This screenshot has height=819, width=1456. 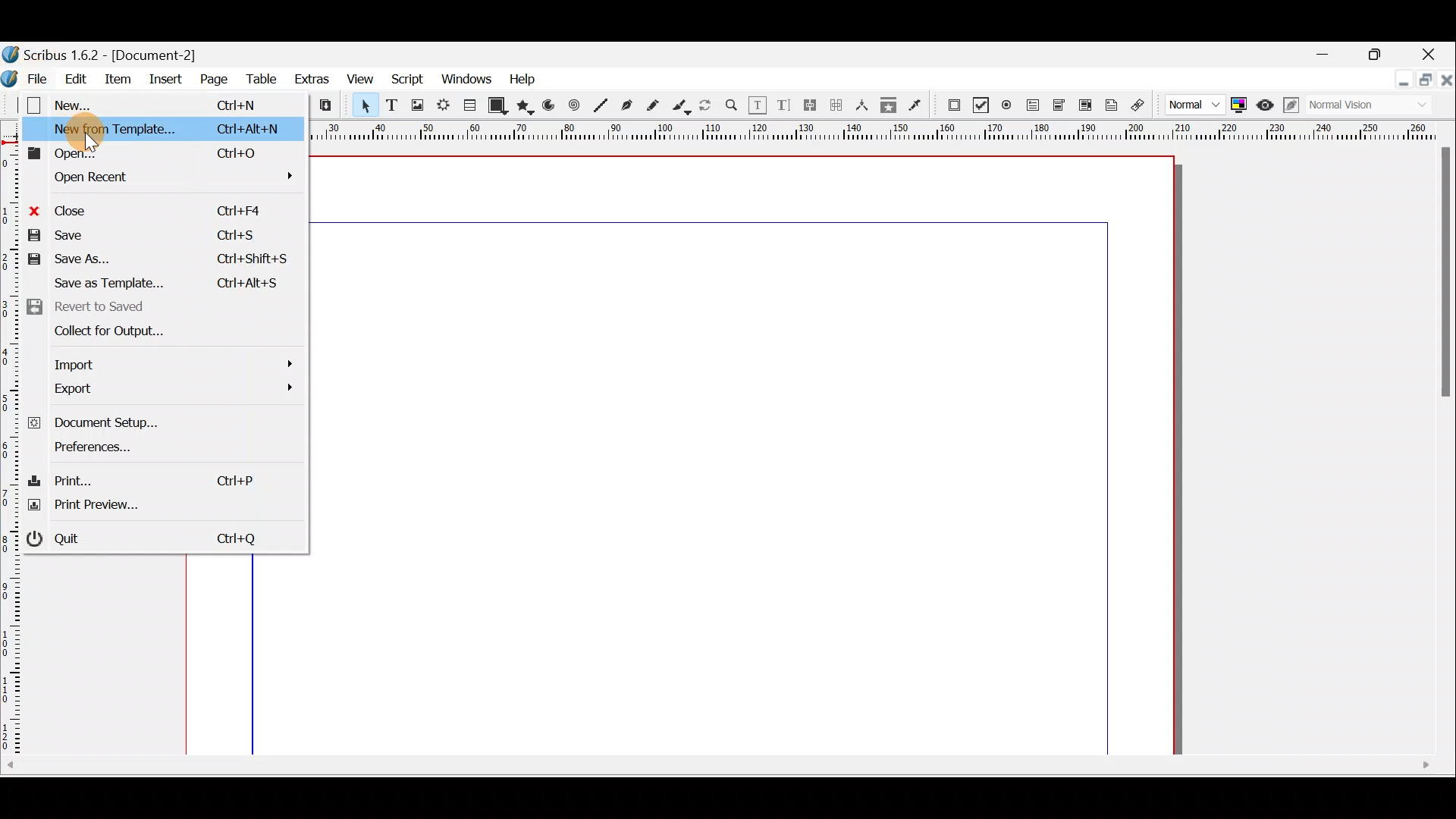 What do you see at coordinates (88, 142) in the screenshot?
I see `cursor` at bounding box center [88, 142].